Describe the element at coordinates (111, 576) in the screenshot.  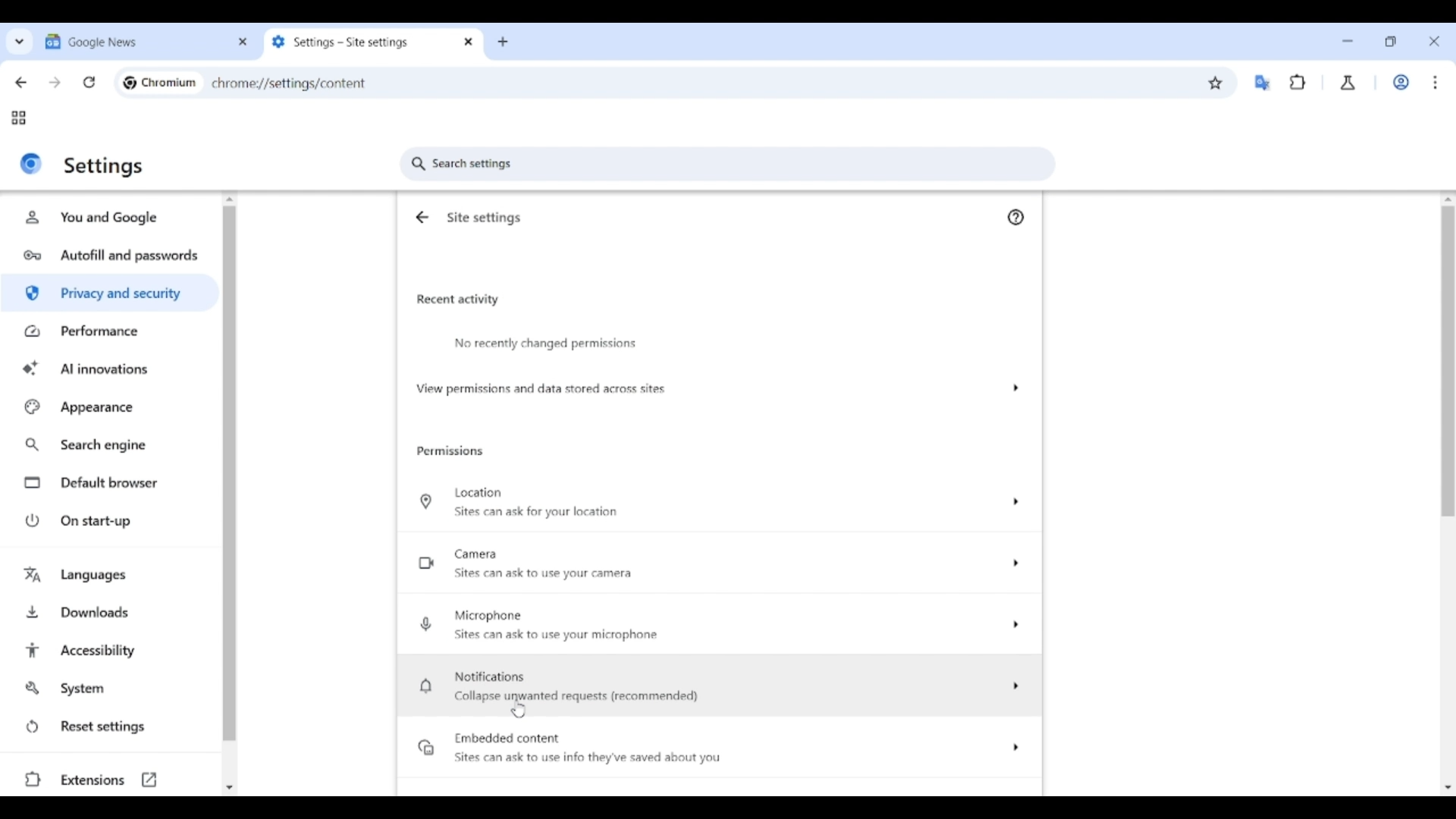
I see `Languages` at that location.